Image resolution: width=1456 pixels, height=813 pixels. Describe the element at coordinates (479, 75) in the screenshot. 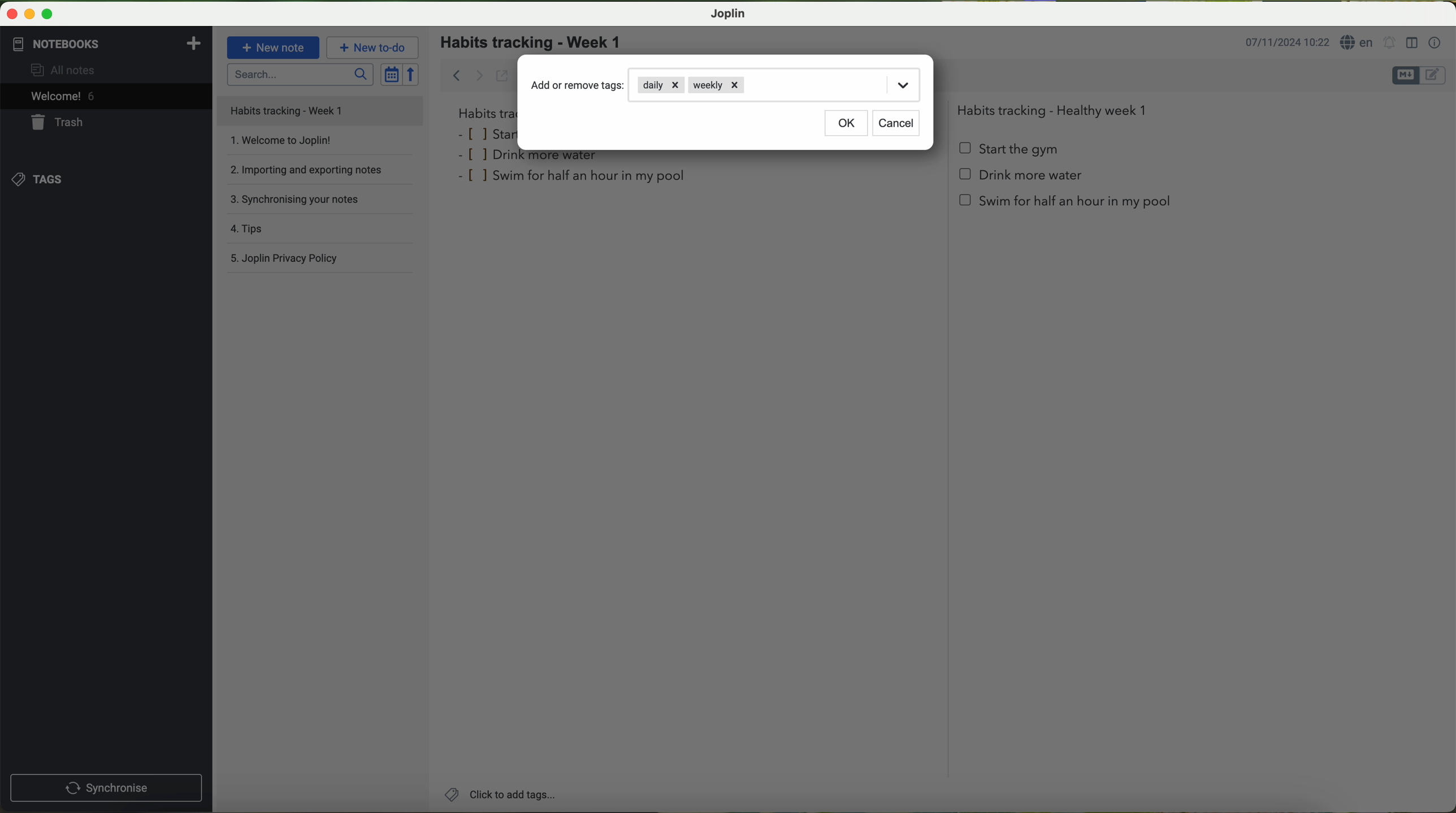

I see `forward` at that location.